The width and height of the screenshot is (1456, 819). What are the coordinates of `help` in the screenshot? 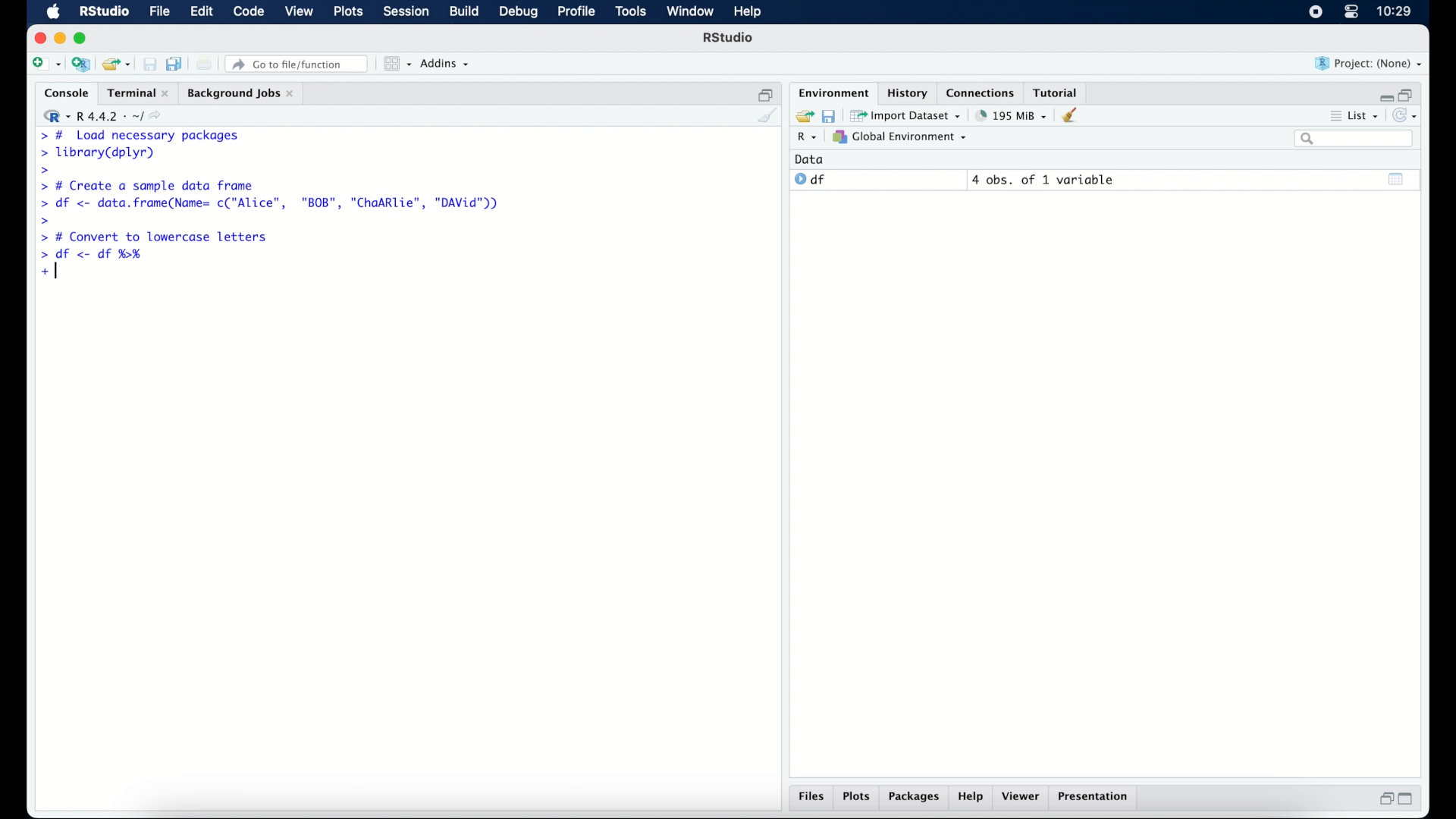 It's located at (971, 799).